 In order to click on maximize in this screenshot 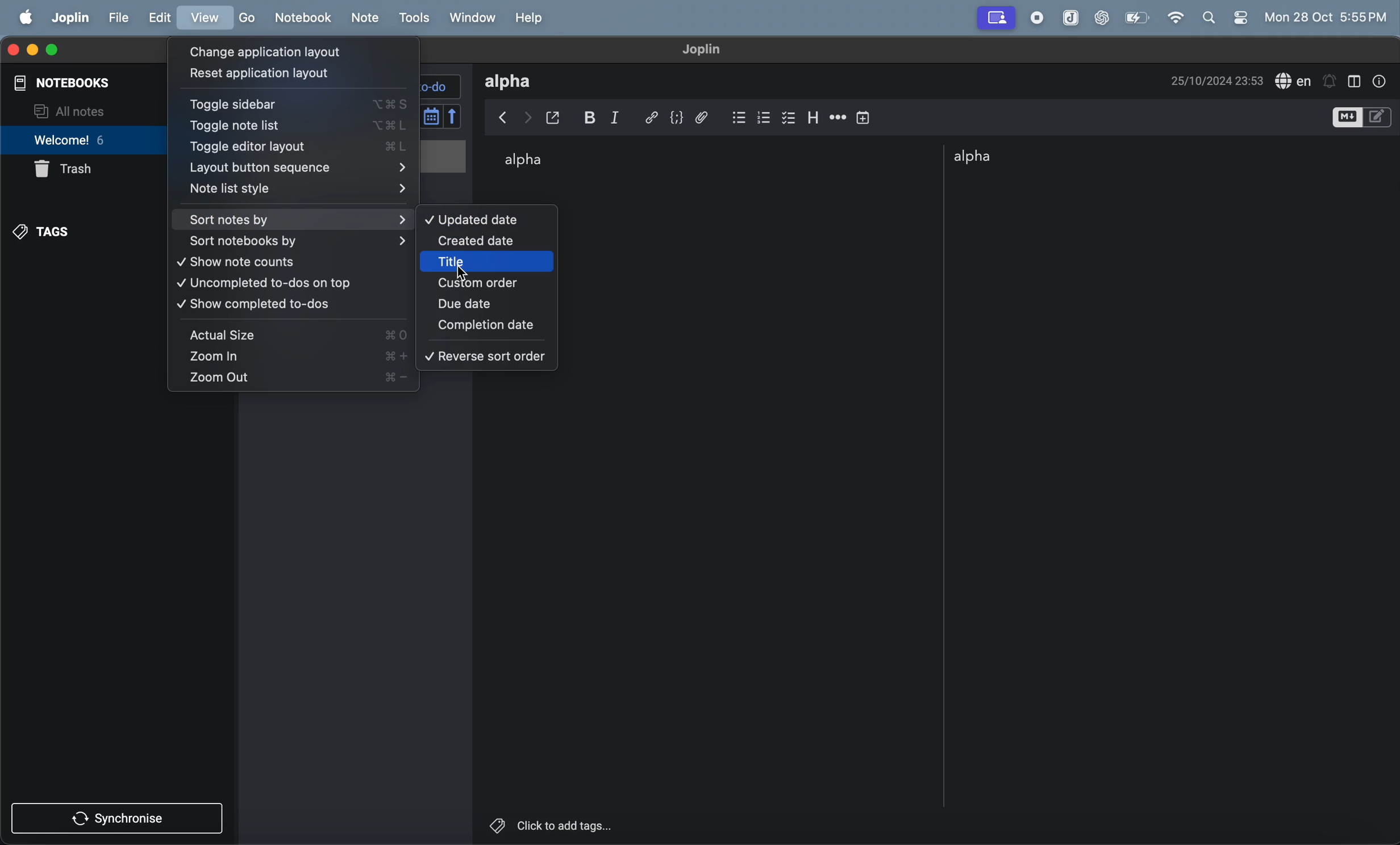, I will do `click(57, 49)`.